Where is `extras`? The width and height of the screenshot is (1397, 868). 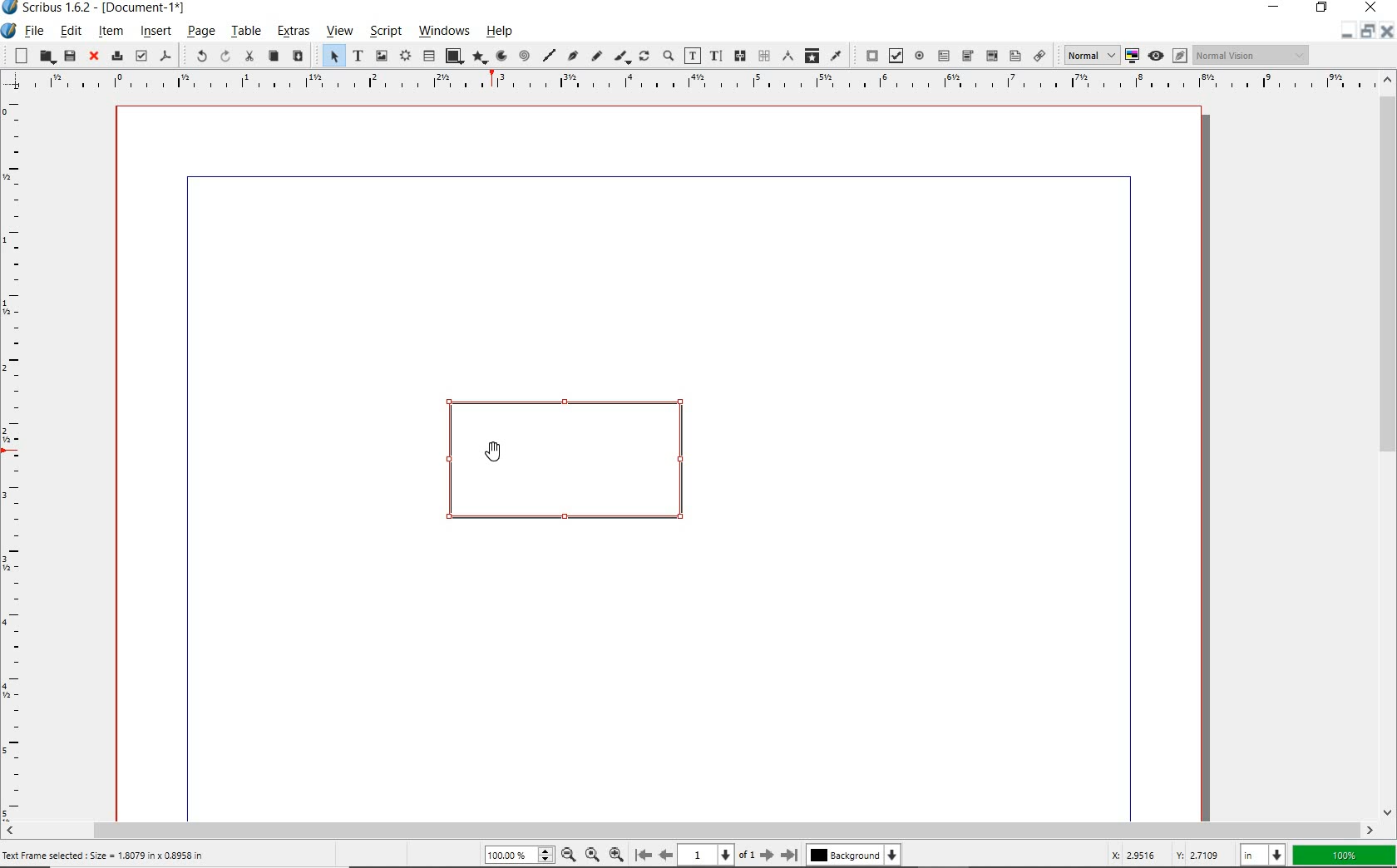 extras is located at coordinates (295, 32).